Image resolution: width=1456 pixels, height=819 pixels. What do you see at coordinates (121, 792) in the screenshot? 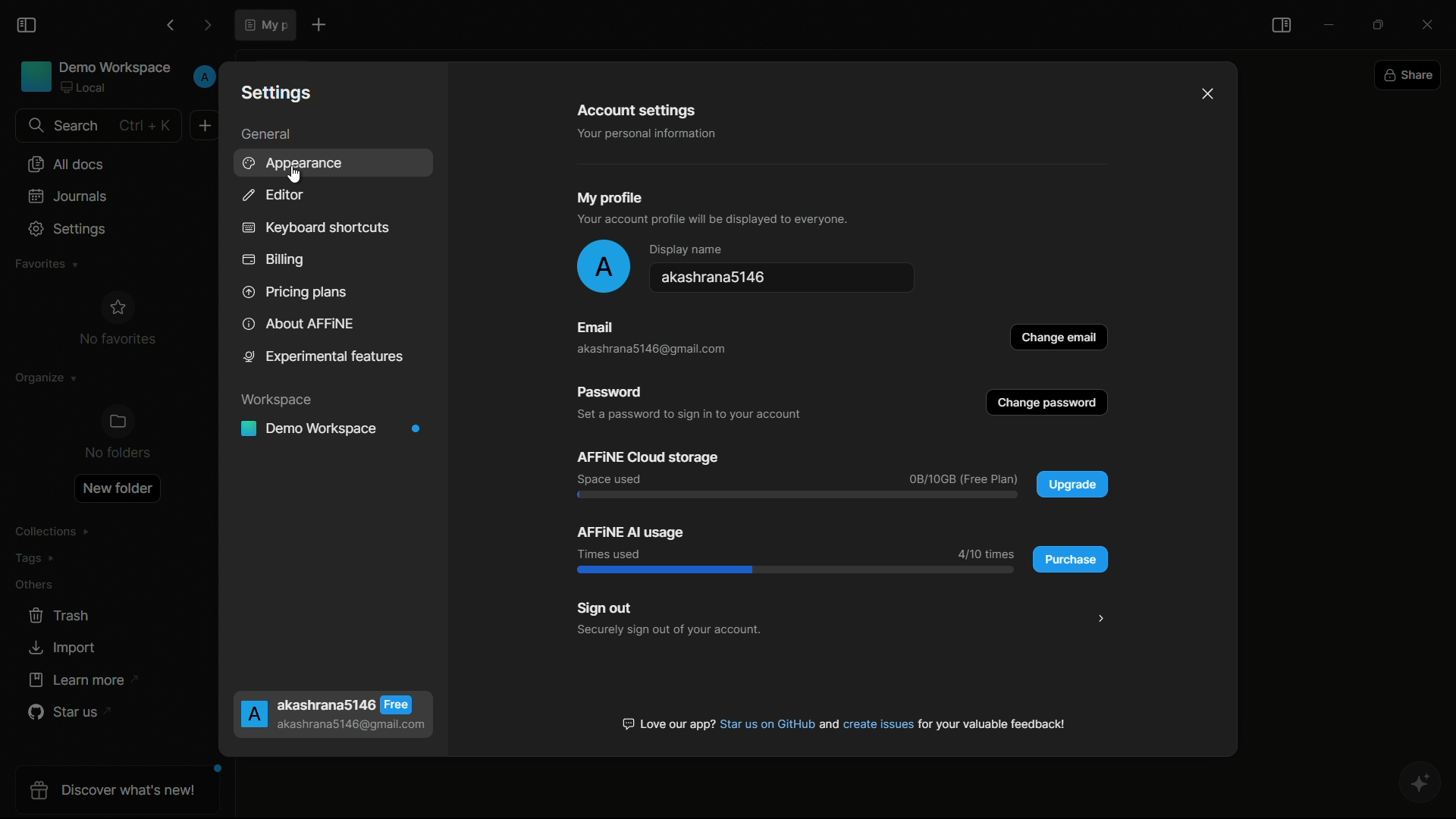
I see `Discover What's new` at bounding box center [121, 792].